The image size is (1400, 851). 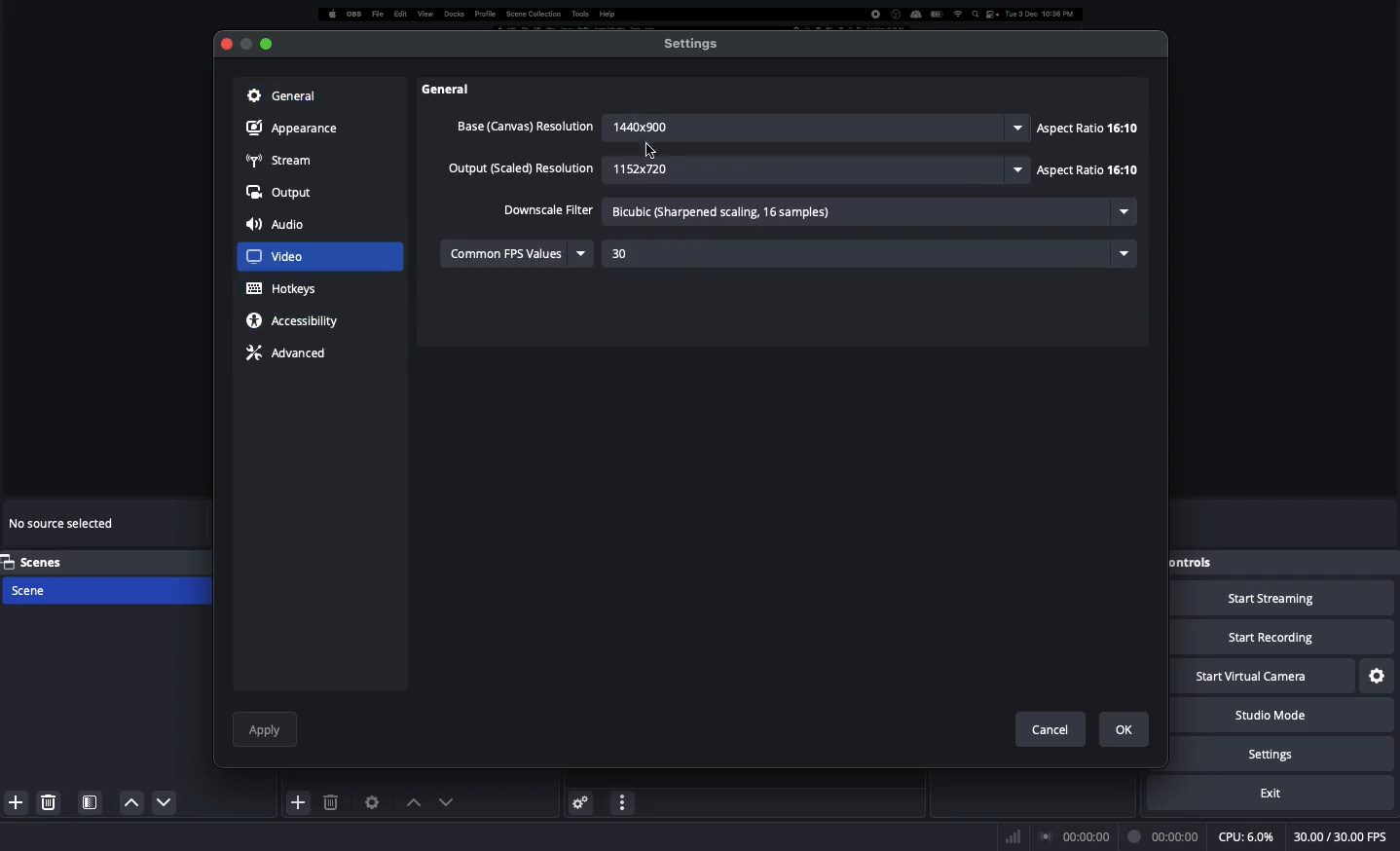 I want to click on Source preferences, so click(x=370, y=802).